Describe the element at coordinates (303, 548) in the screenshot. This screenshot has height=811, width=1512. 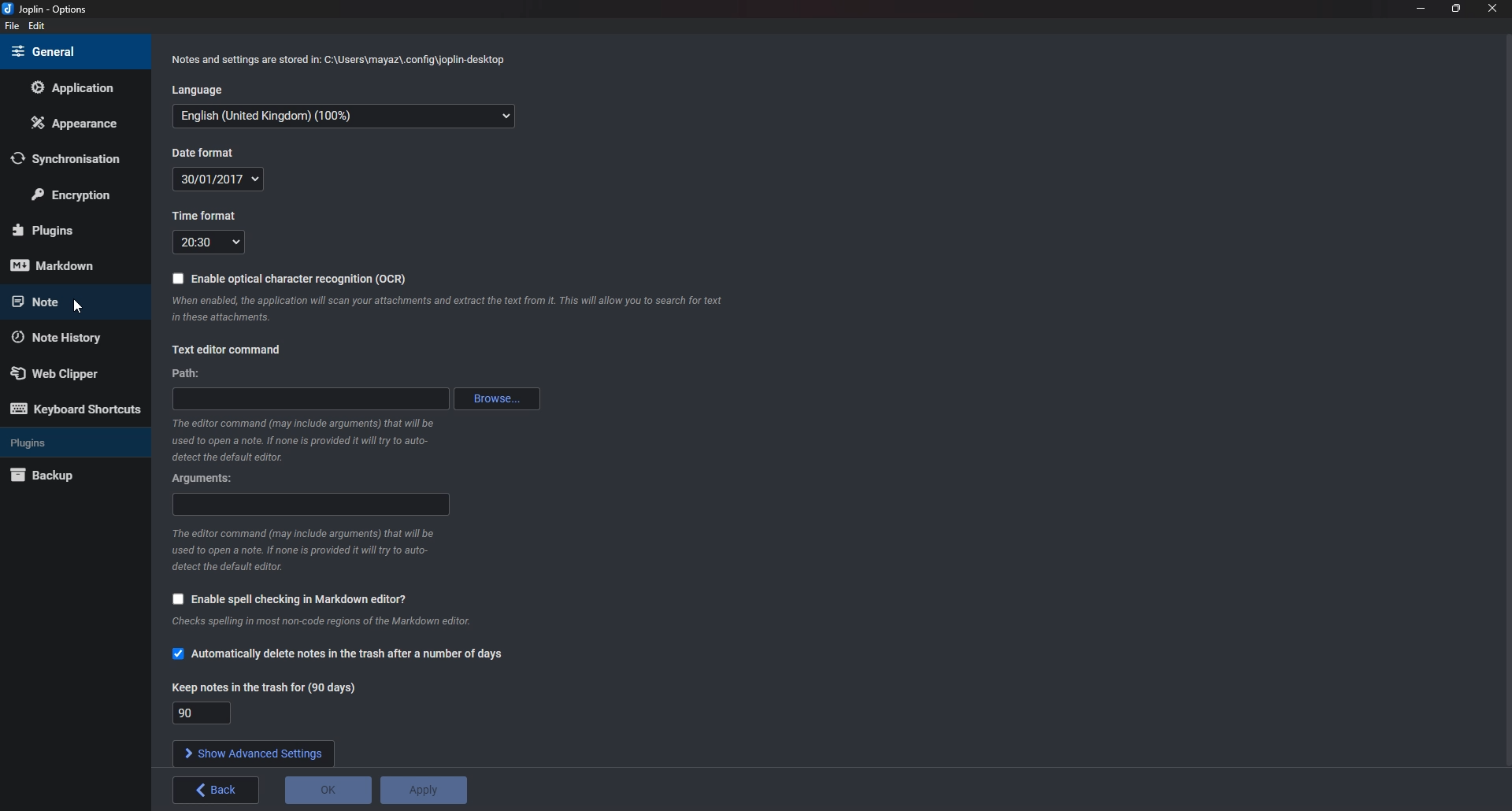
I see `Info` at that location.